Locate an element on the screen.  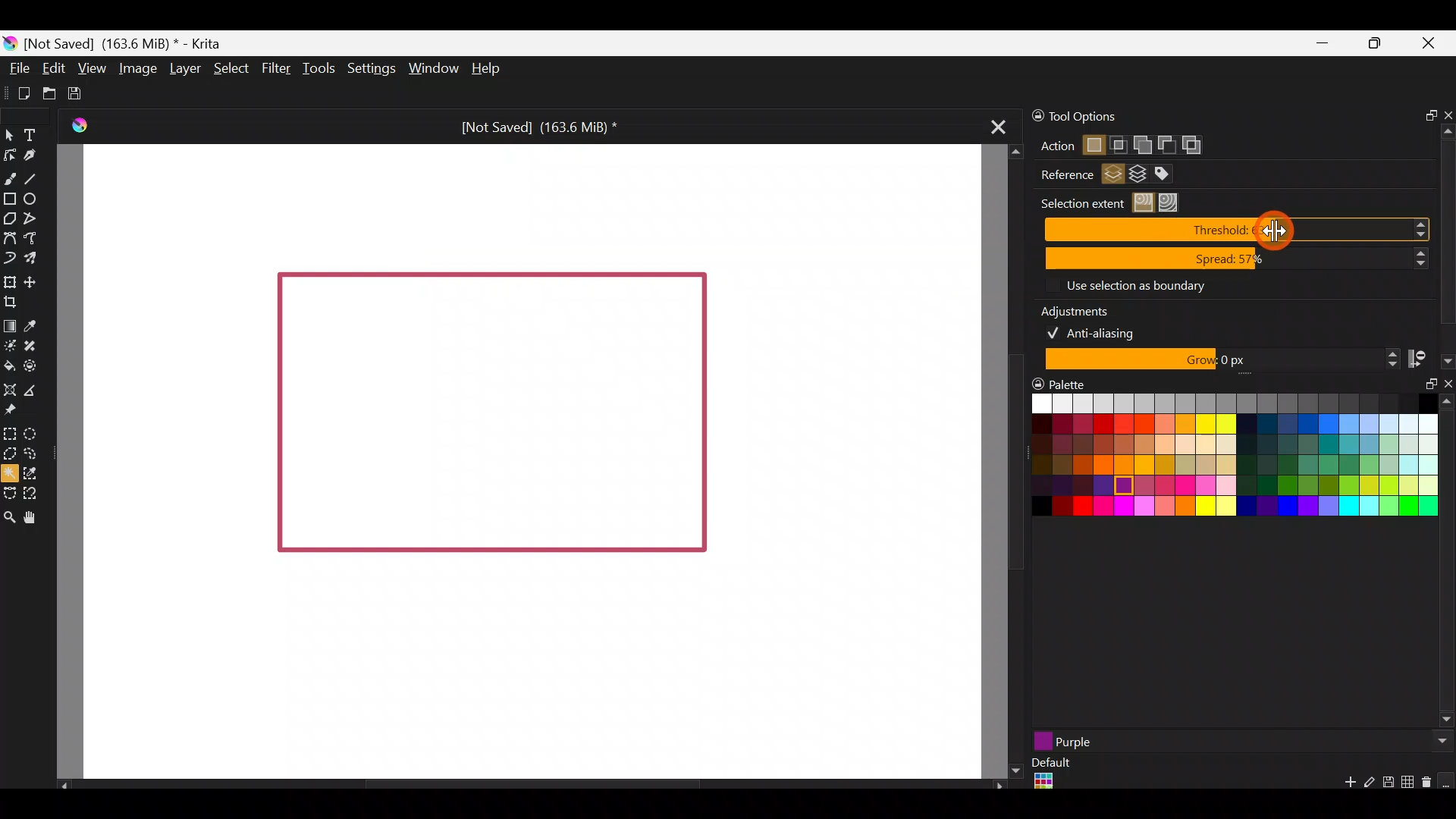
Fill a contiguous area of colour with colour/fill a selection is located at coordinates (9, 365).